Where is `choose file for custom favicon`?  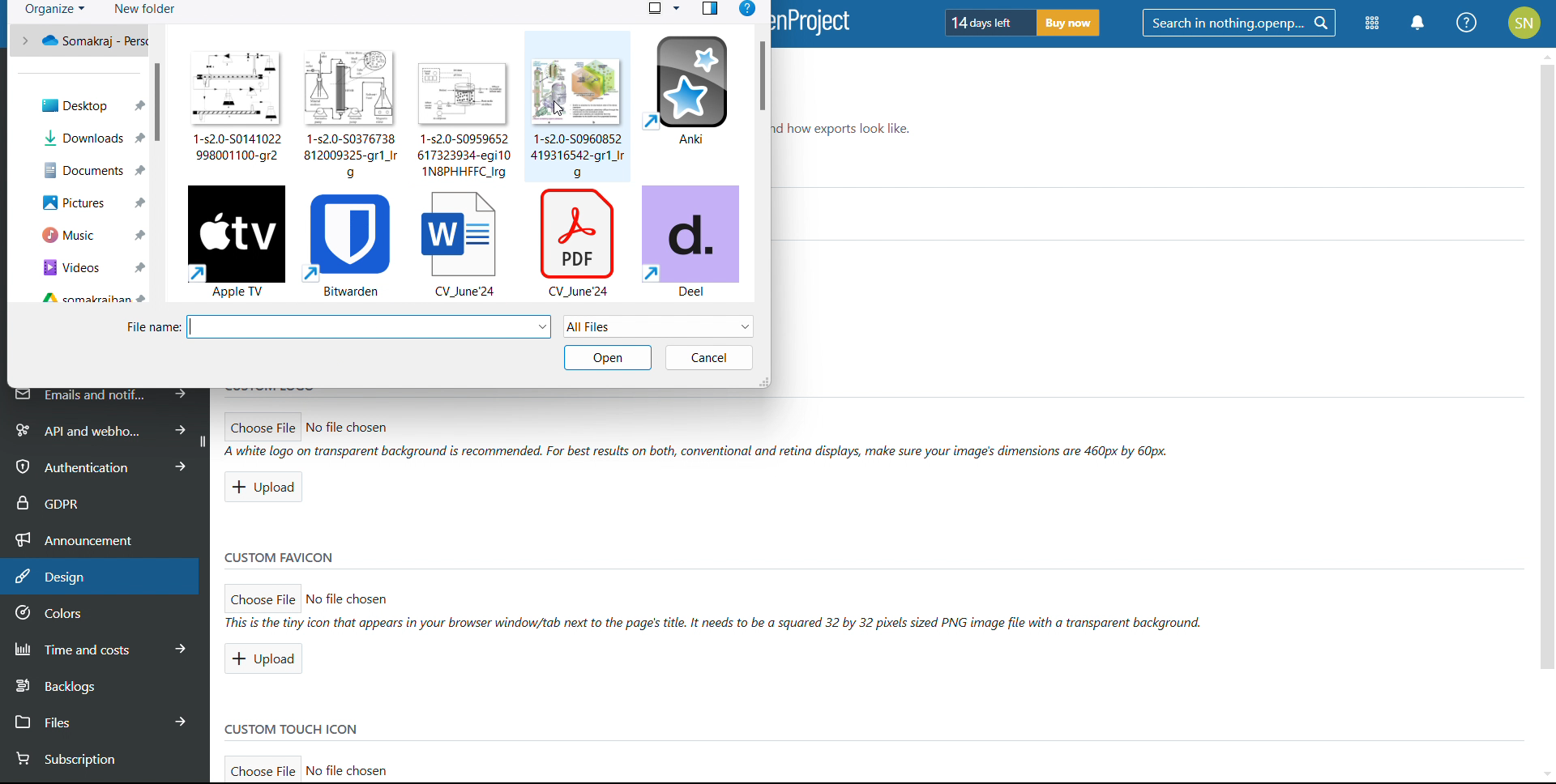
choose file for custom favicon is located at coordinates (261, 597).